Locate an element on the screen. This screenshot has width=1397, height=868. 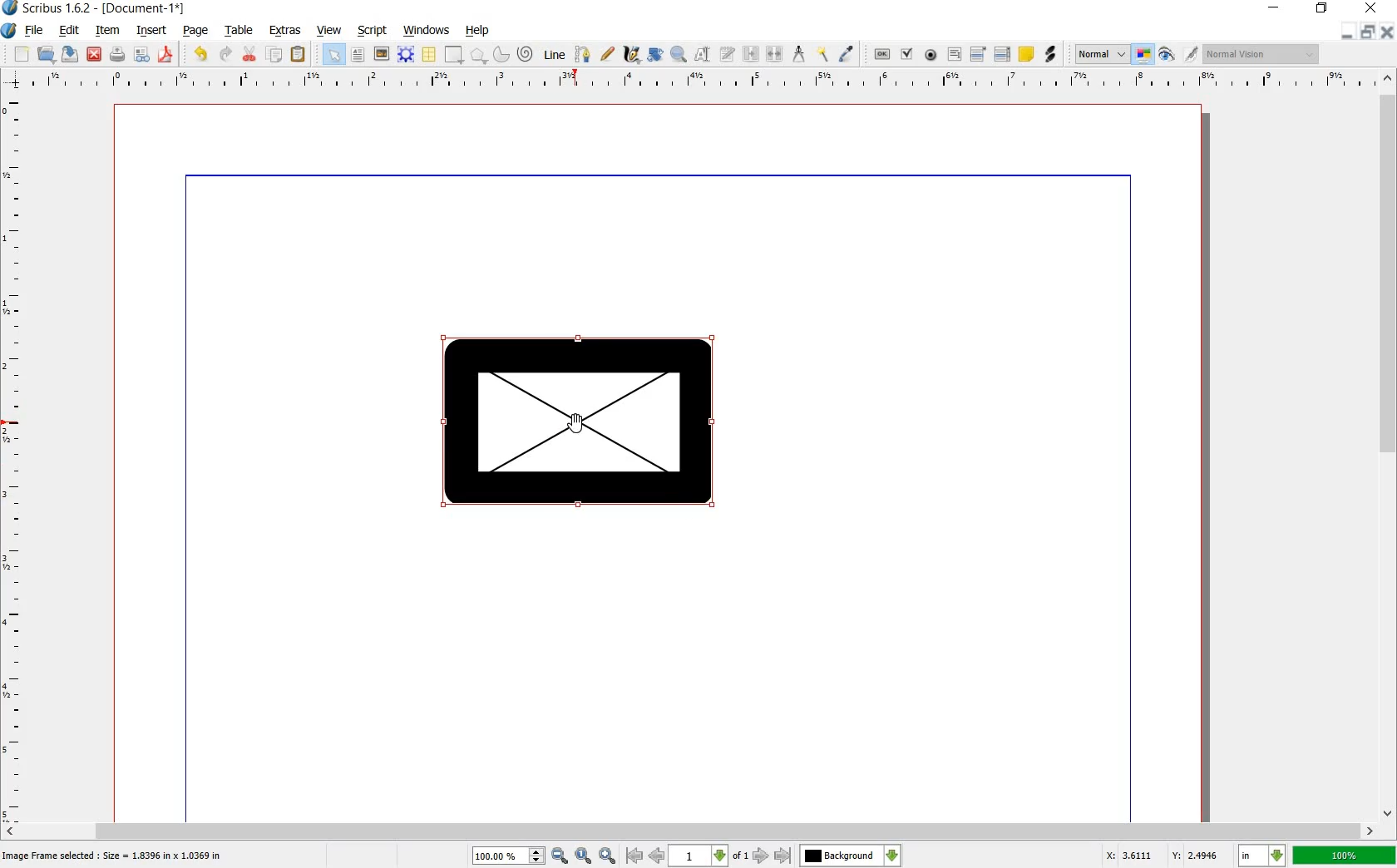
close is located at coordinates (95, 53).